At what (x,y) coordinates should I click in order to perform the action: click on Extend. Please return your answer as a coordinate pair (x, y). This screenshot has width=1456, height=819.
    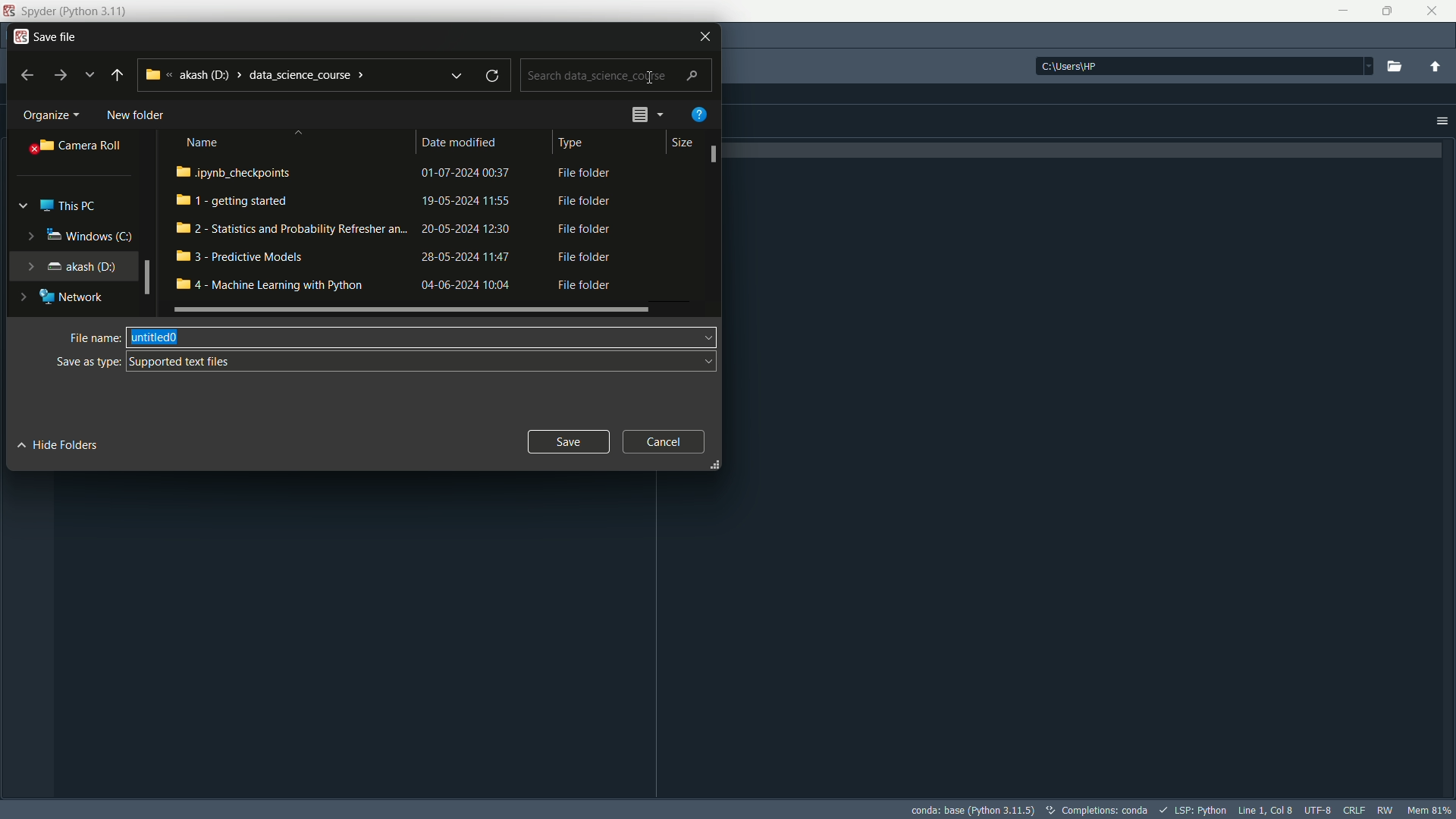
    Looking at the image, I should click on (30, 264).